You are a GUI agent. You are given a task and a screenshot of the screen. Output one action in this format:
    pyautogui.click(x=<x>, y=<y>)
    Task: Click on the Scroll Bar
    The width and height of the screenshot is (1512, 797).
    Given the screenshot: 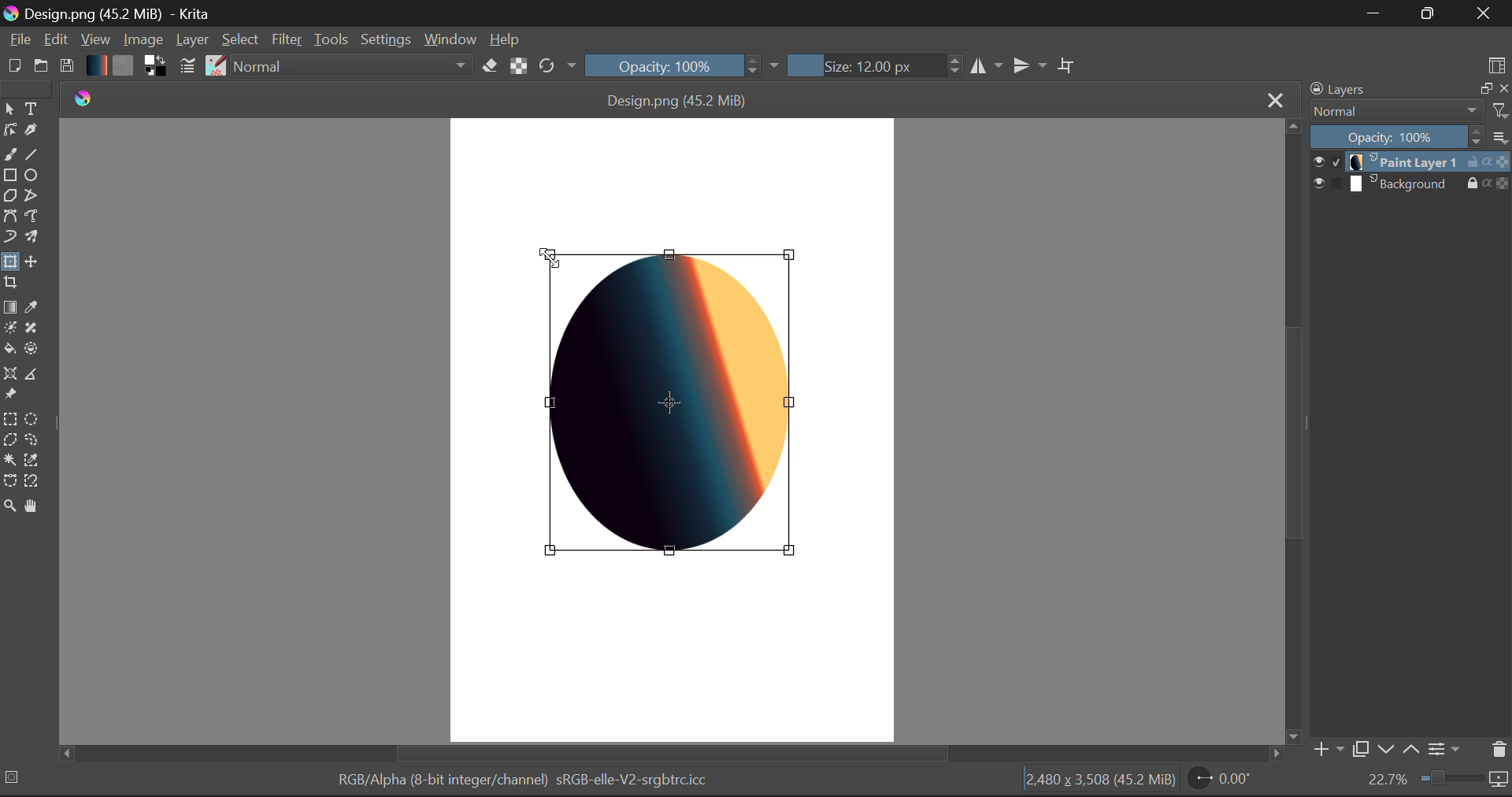 What is the action you would take?
    pyautogui.click(x=1291, y=430)
    